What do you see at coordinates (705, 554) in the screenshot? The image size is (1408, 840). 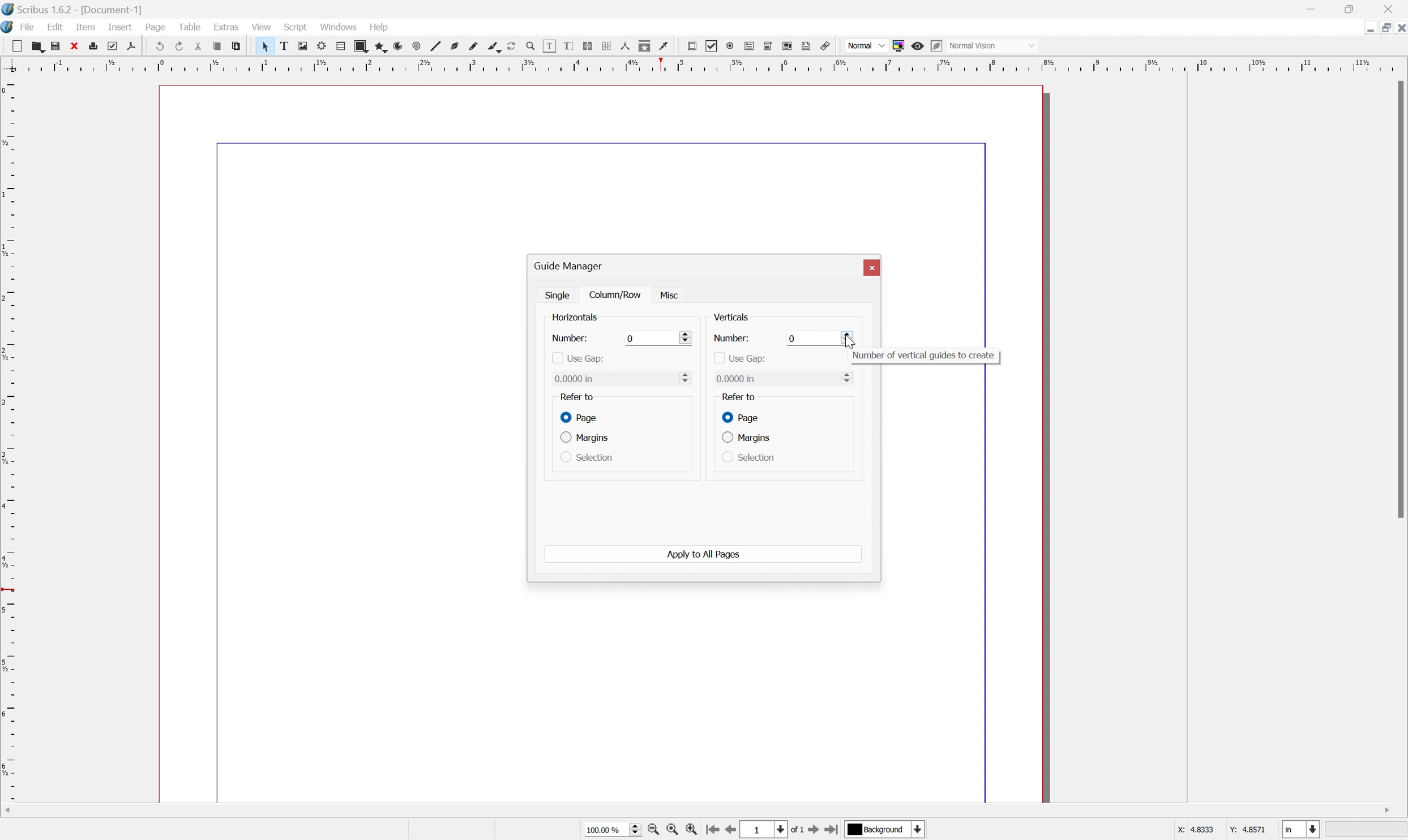 I see `apply to all pages` at bounding box center [705, 554].